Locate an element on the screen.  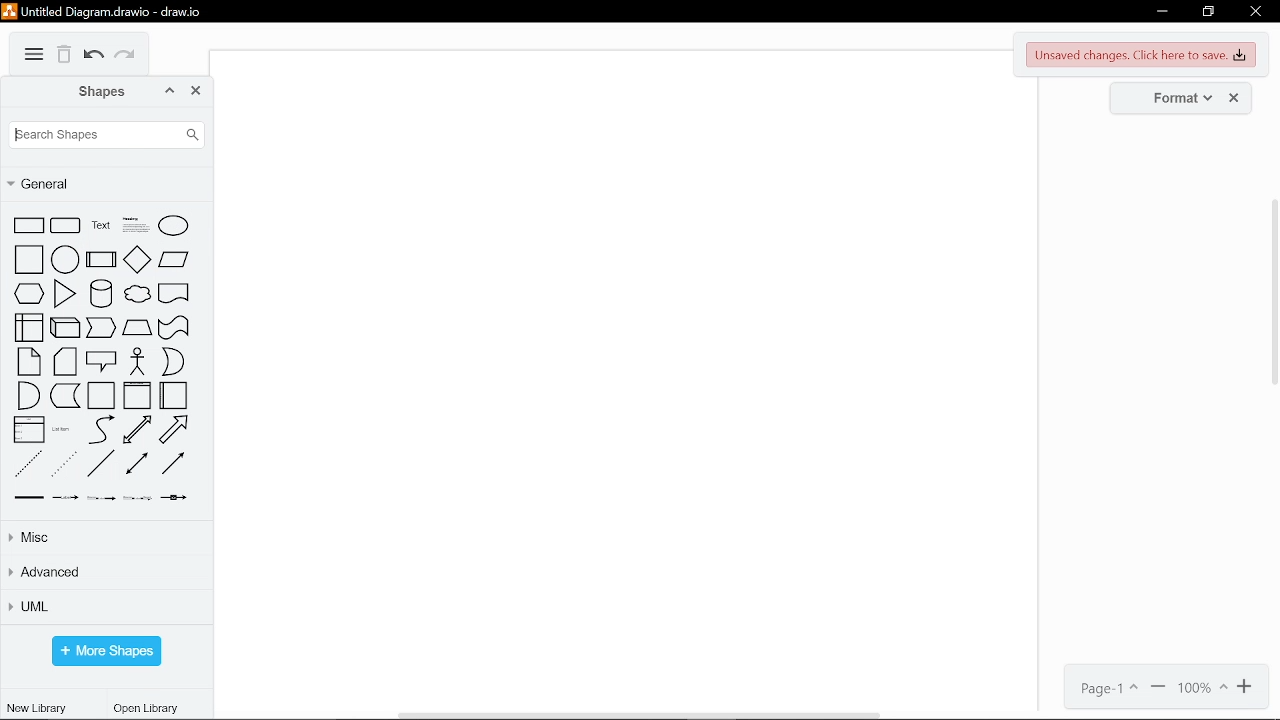
internal storage is located at coordinates (28, 328).